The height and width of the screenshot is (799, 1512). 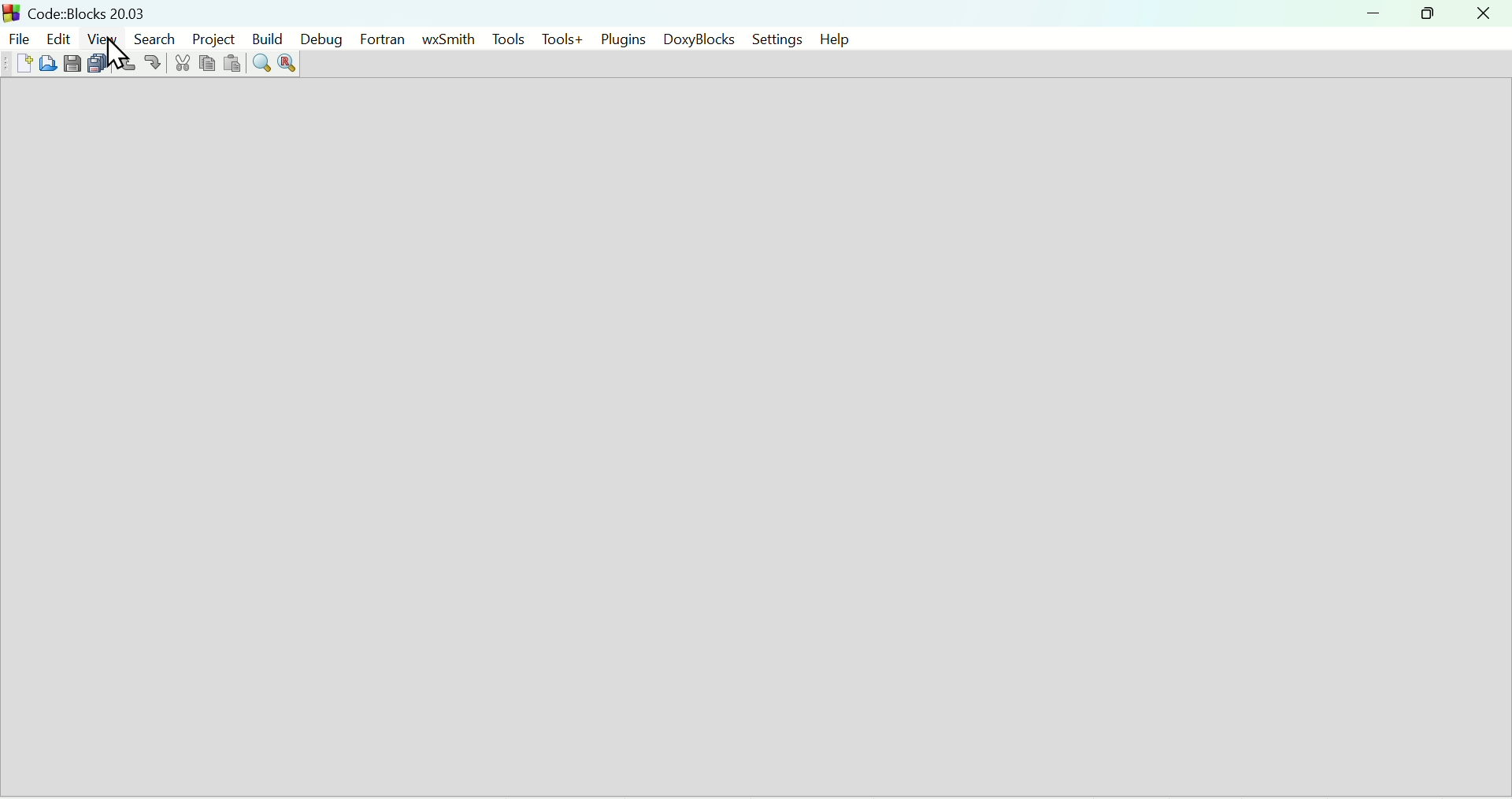 I want to click on Code: Blocks Version, so click(x=91, y=11).